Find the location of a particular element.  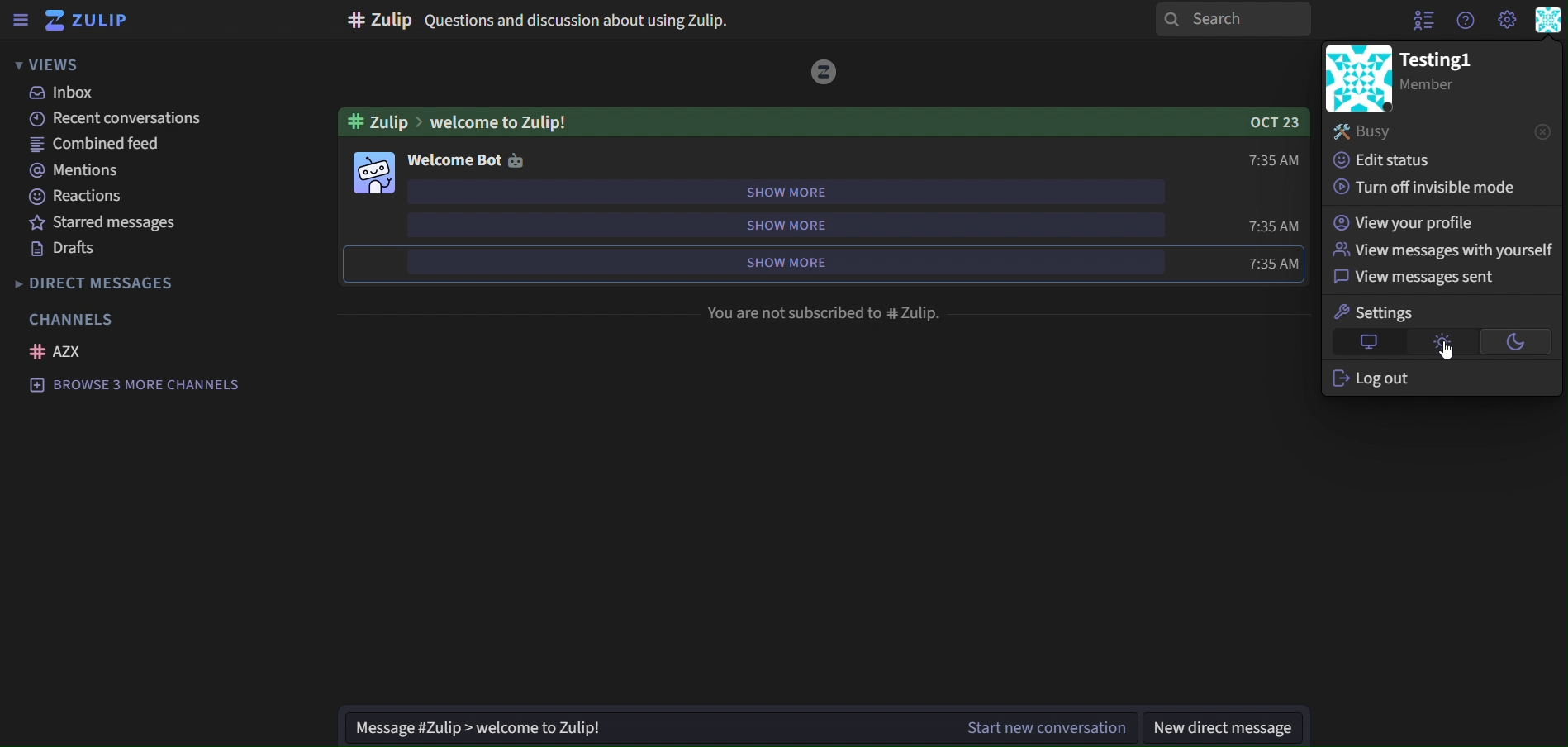

You are not subscribed to #Zulip. is located at coordinates (828, 311).